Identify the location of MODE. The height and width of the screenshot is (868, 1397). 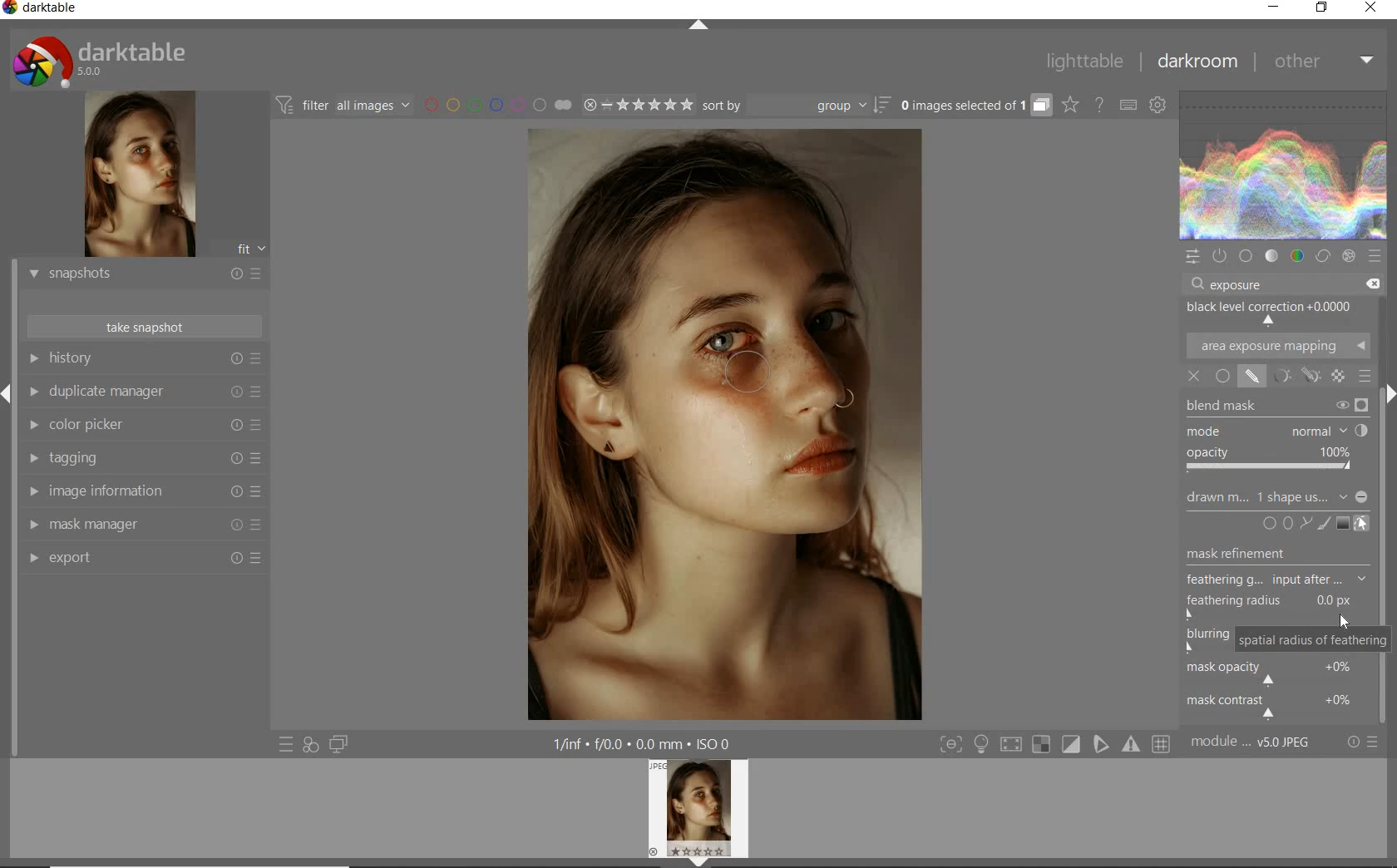
(1276, 432).